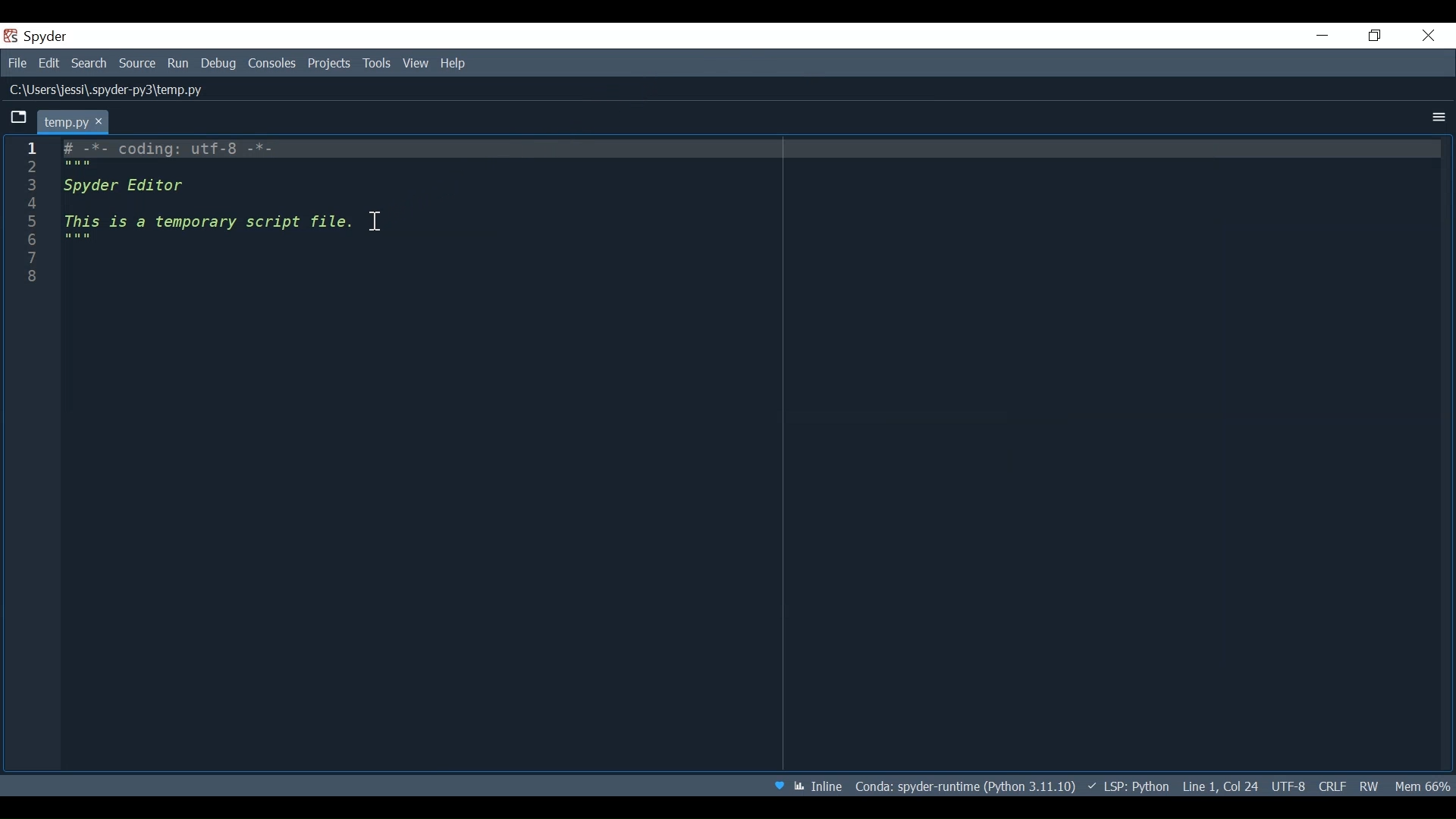  Describe the element at coordinates (1421, 786) in the screenshot. I see `Memory Usage` at that location.